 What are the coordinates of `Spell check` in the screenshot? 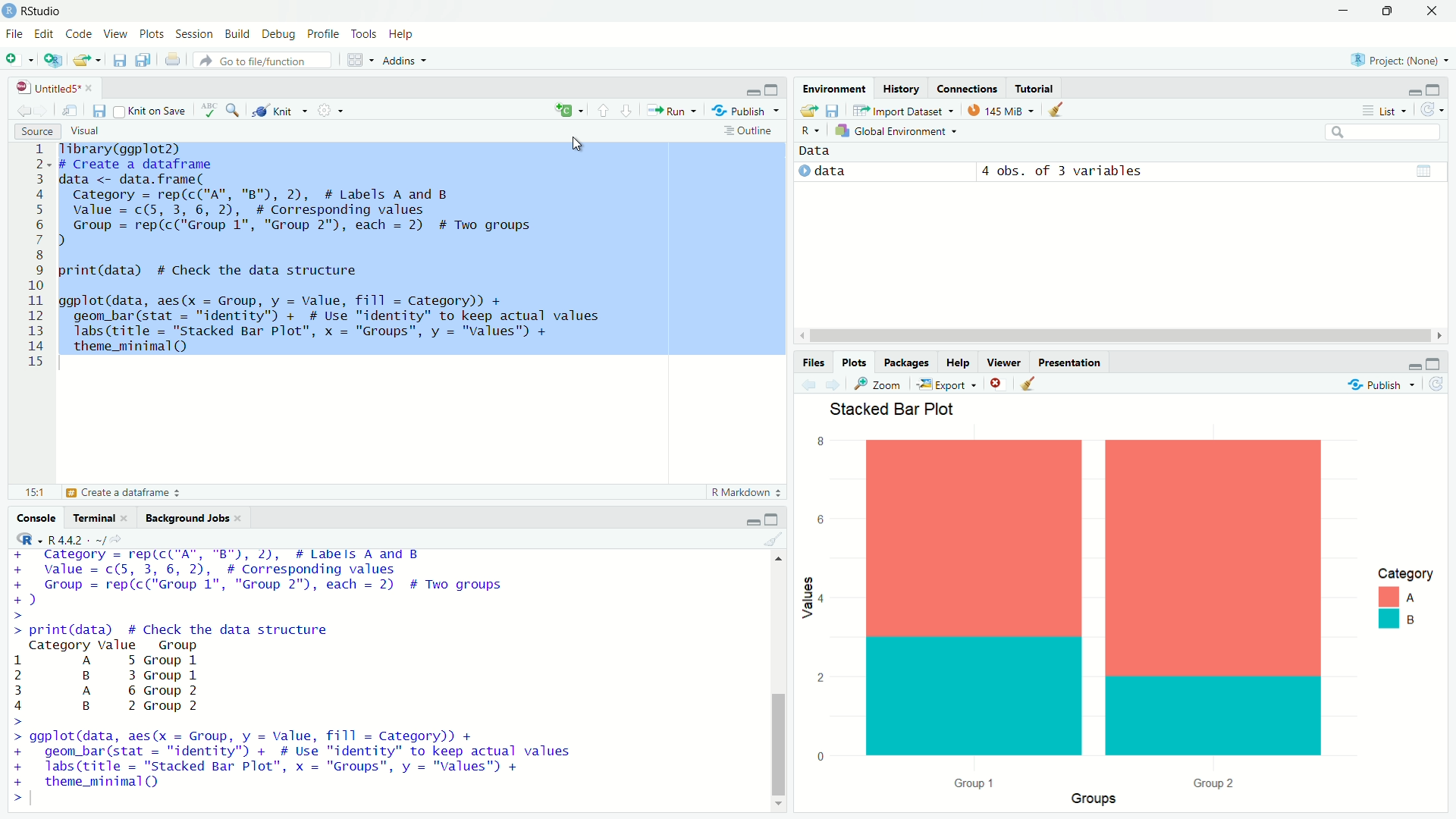 It's located at (208, 108).